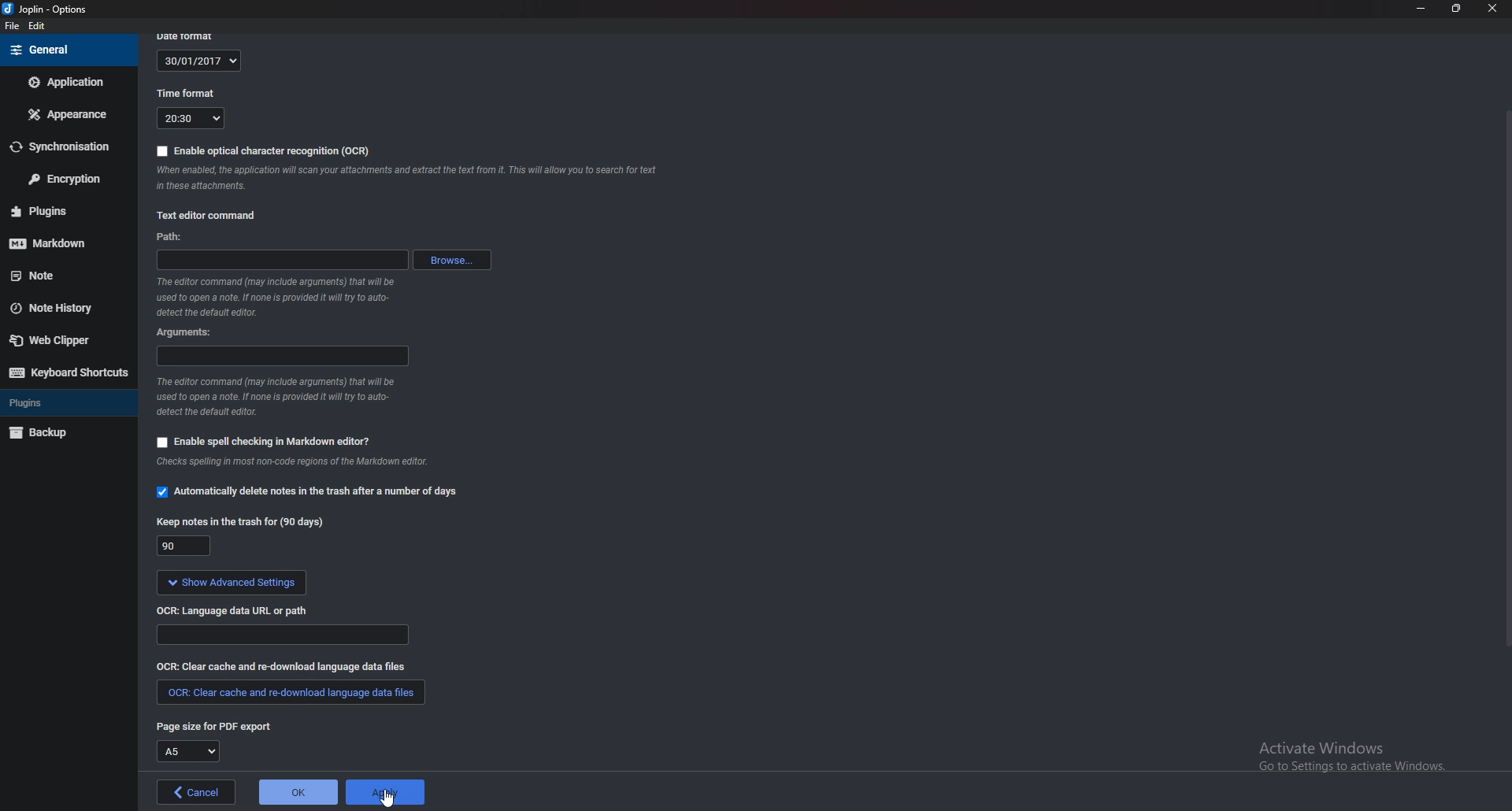 This screenshot has width=1512, height=811. Describe the element at coordinates (1506, 379) in the screenshot. I see `Scroll bar` at that location.